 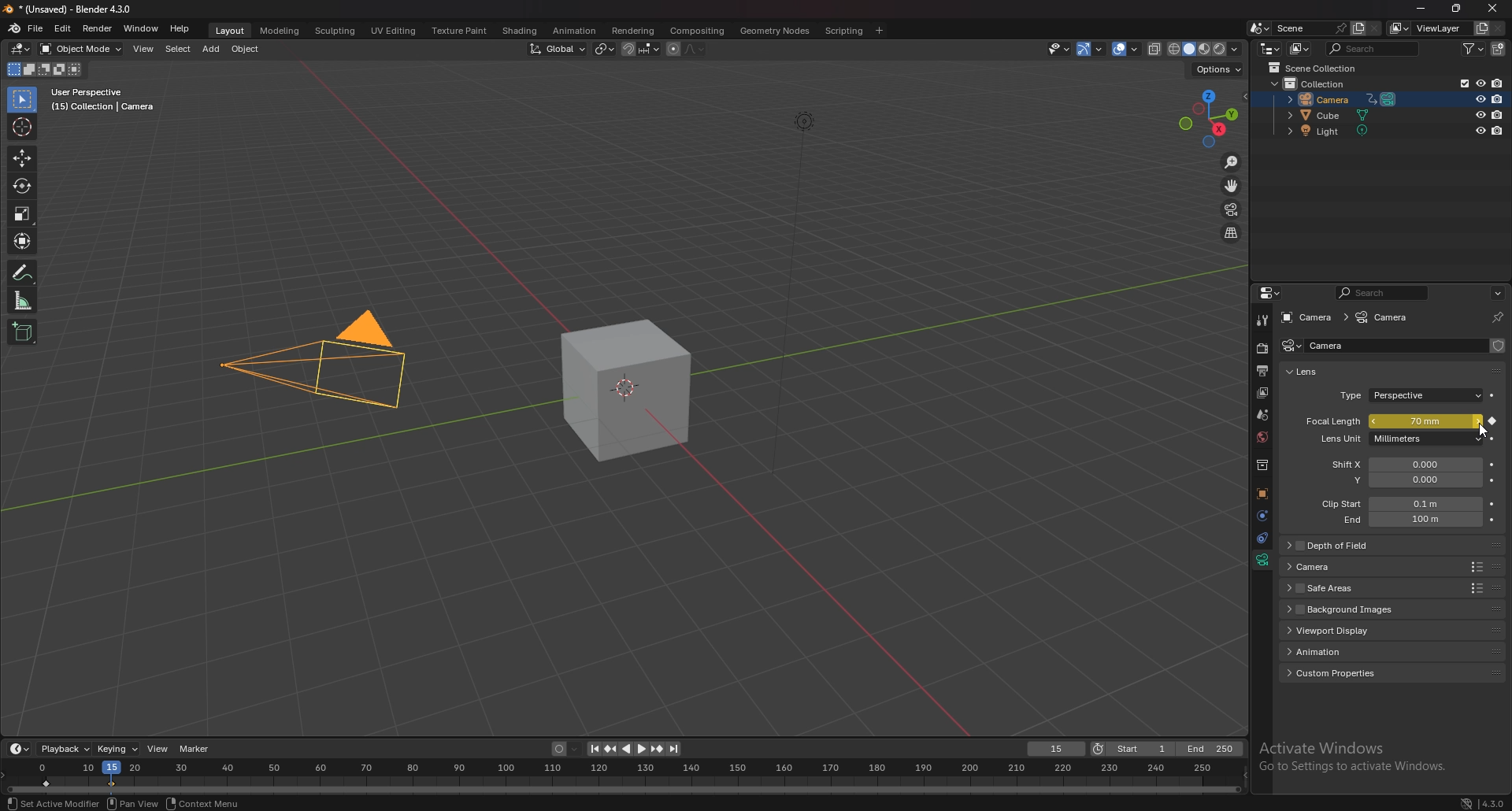 I want to click on sculpting, so click(x=335, y=31).